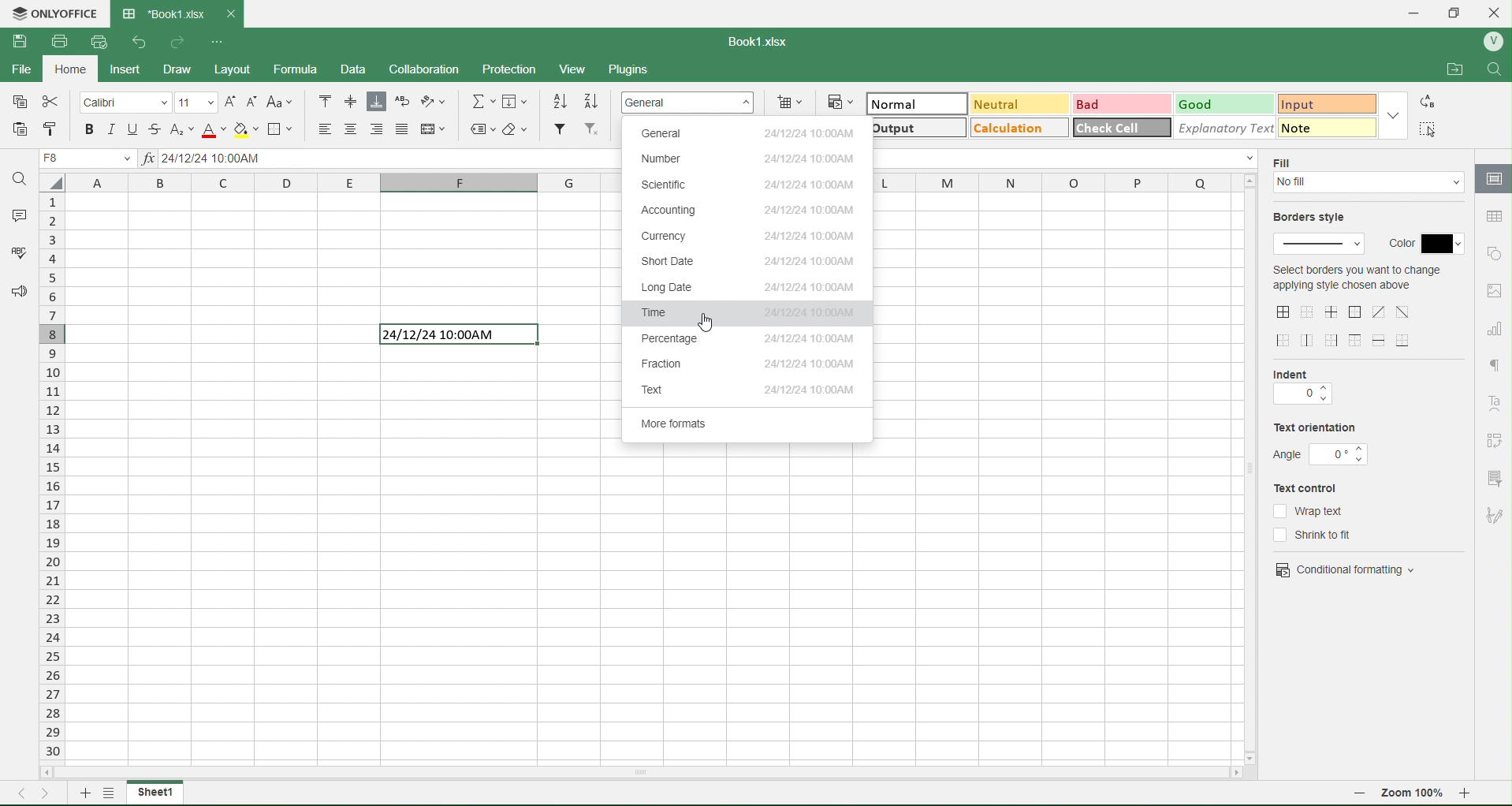  What do you see at coordinates (1499, 11) in the screenshot?
I see `close` at bounding box center [1499, 11].